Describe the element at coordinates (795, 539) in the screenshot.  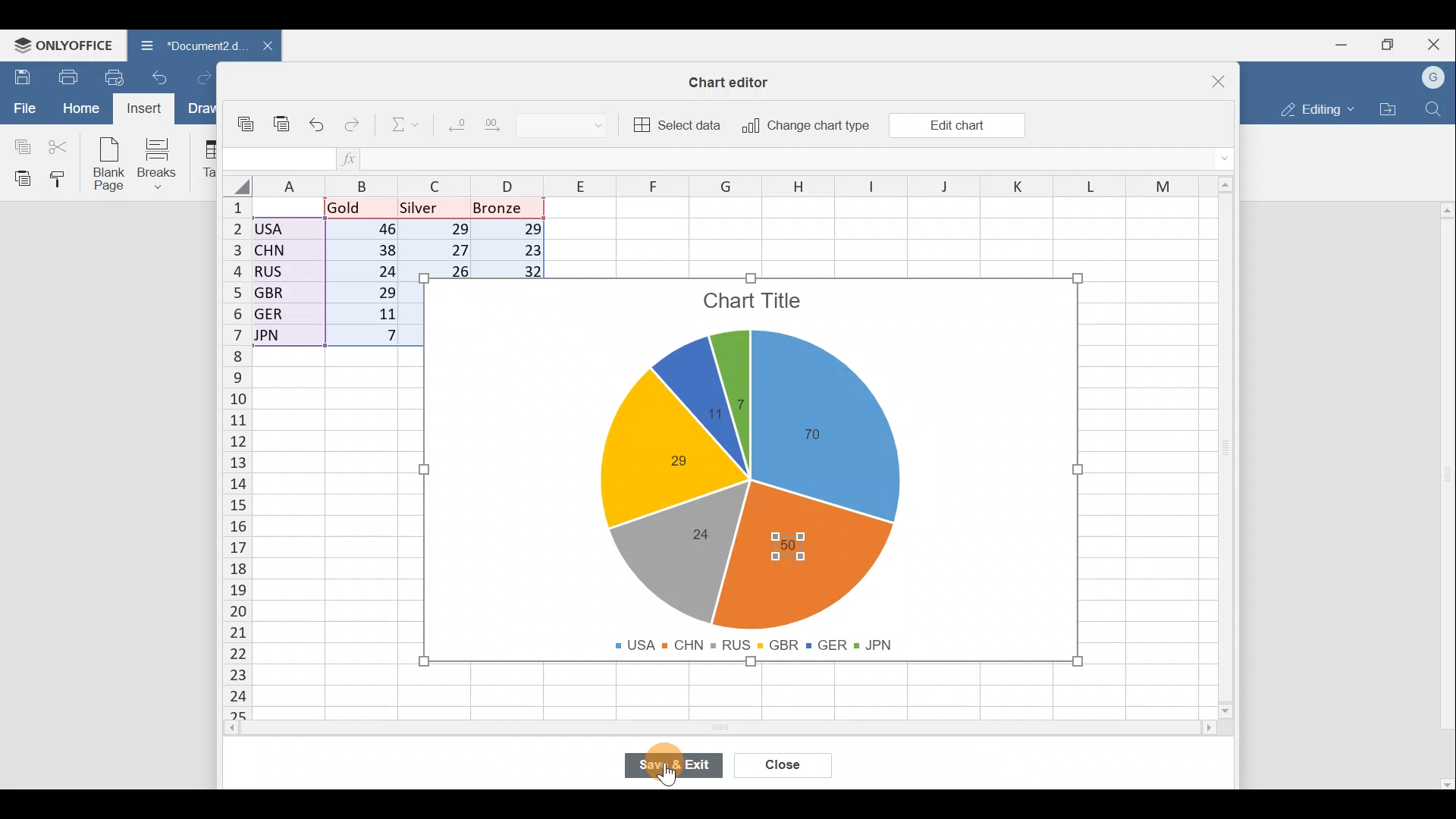
I see `Chart label` at that location.